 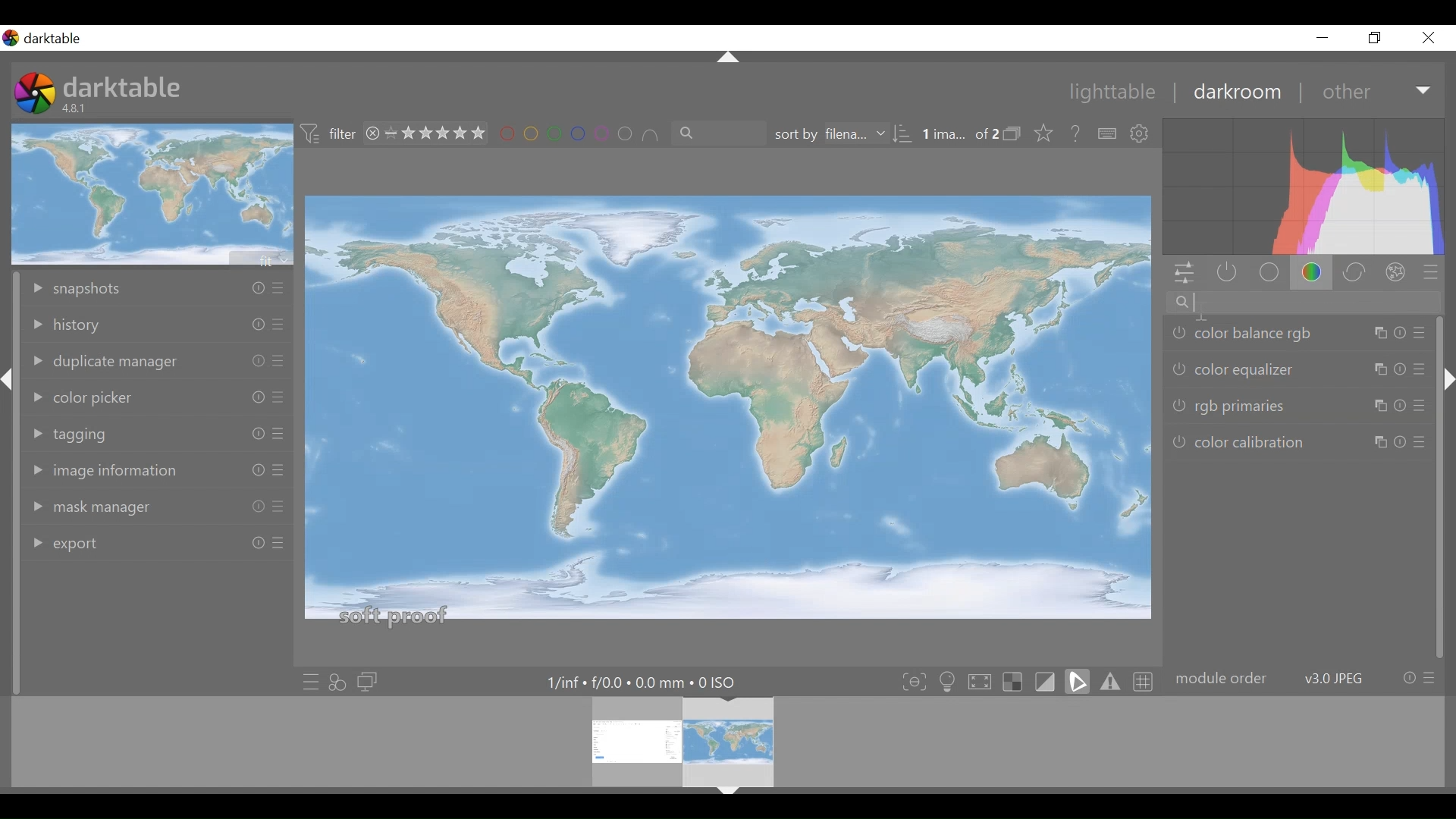 I want to click on , so click(x=1418, y=367).